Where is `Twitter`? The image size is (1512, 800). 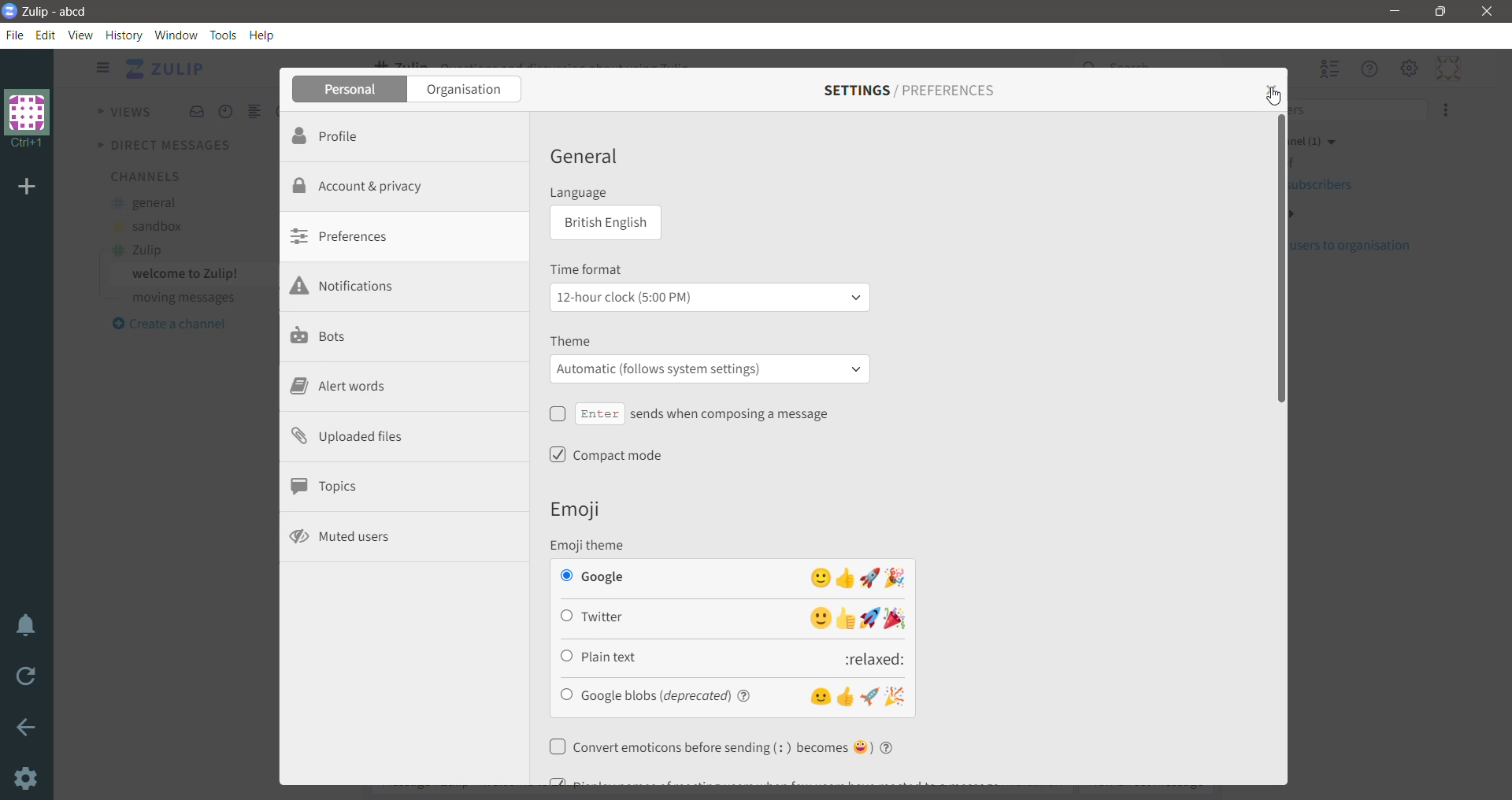 Twitter is located at coordinates (729, 618).